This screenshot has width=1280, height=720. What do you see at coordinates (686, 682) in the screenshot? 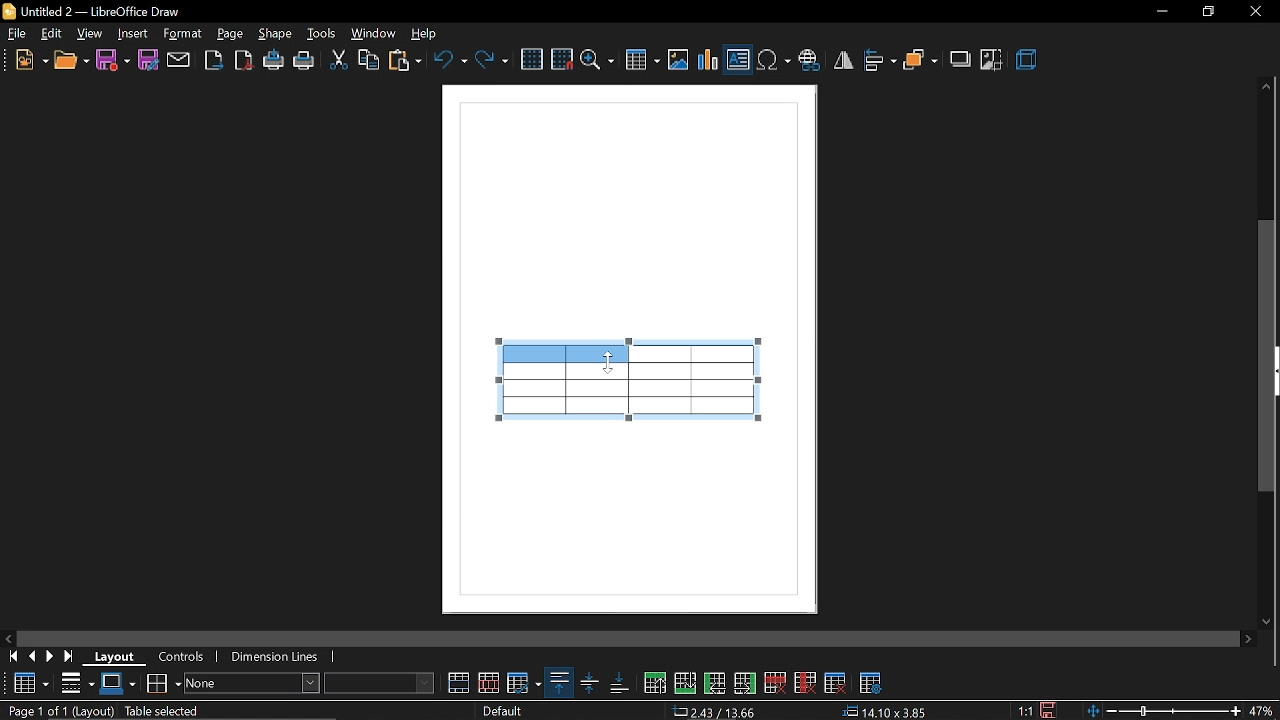
I see `insert row below` at bounding box center [686, 682].